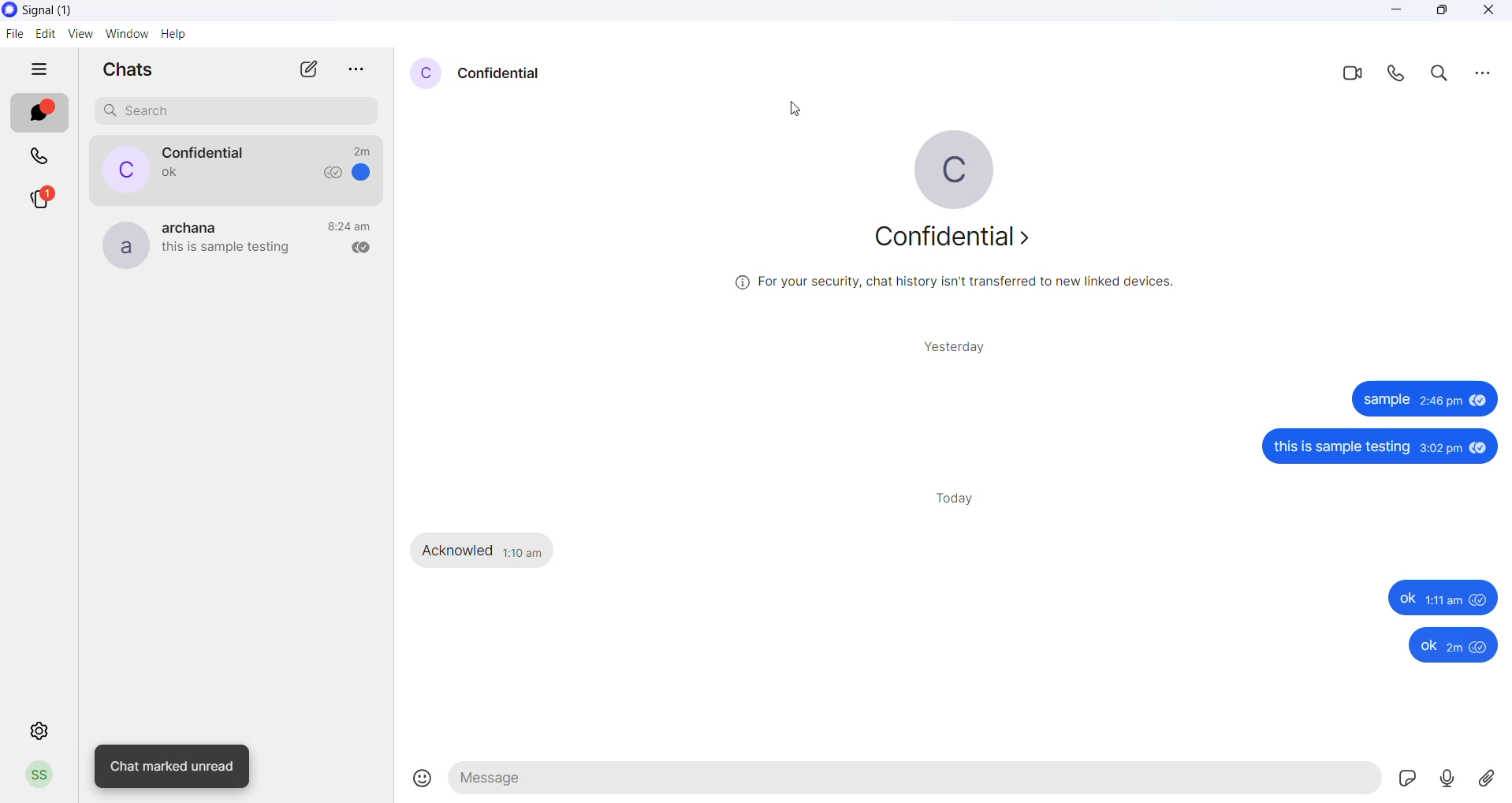 Image resolution: width=1512 pixels, height=803 pixels. I want to click on edit, so click(44, 32).